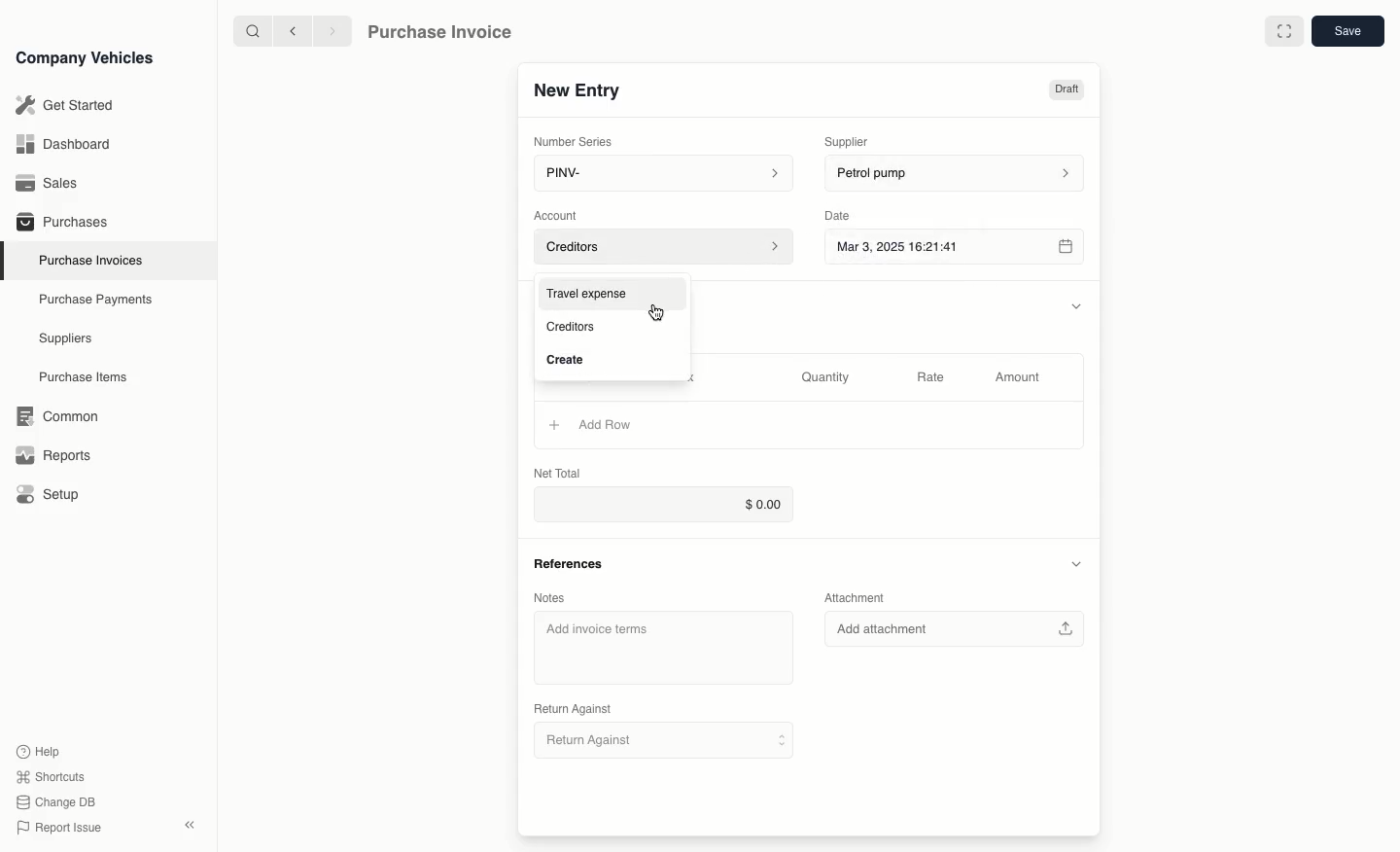  Describe the element at coordinates (592, 425) in the screenshot. I see `Add Row` at that location.